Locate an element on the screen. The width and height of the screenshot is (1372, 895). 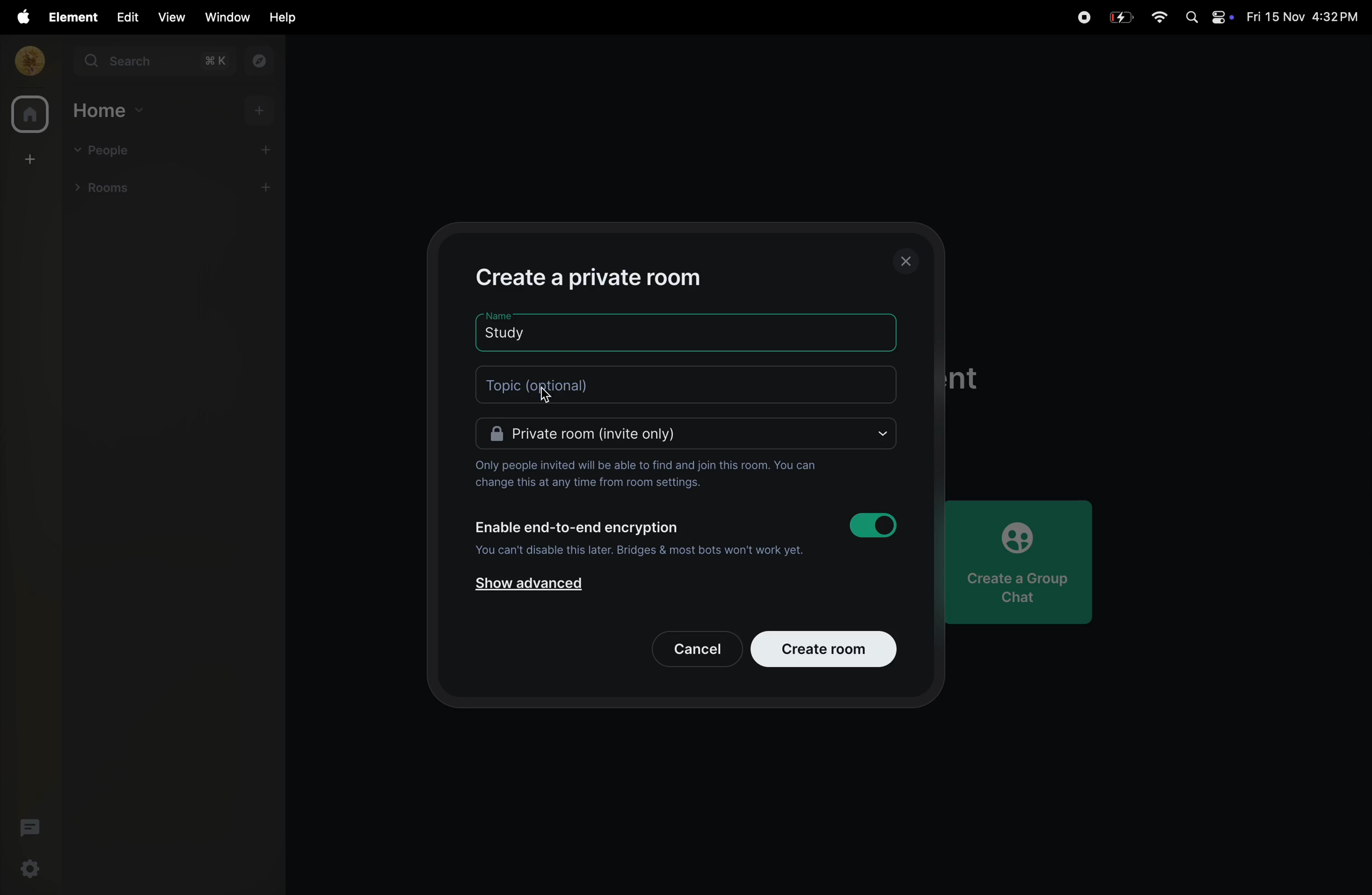
add rooms is located at coordinates (270, 189).